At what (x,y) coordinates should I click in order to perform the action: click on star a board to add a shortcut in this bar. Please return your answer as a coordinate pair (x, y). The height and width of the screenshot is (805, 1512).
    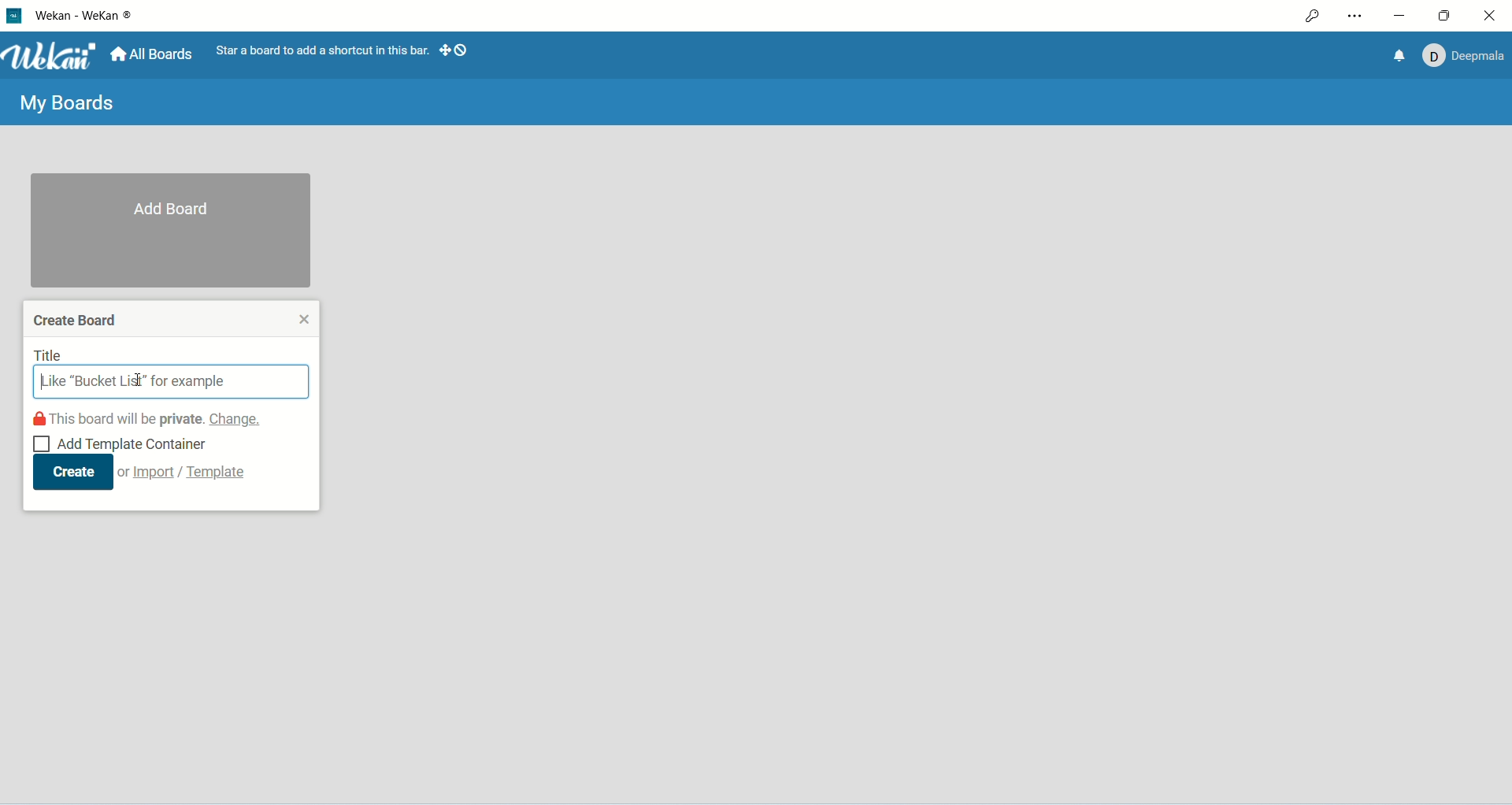
    Looking at the image, I should click on (320, 50).